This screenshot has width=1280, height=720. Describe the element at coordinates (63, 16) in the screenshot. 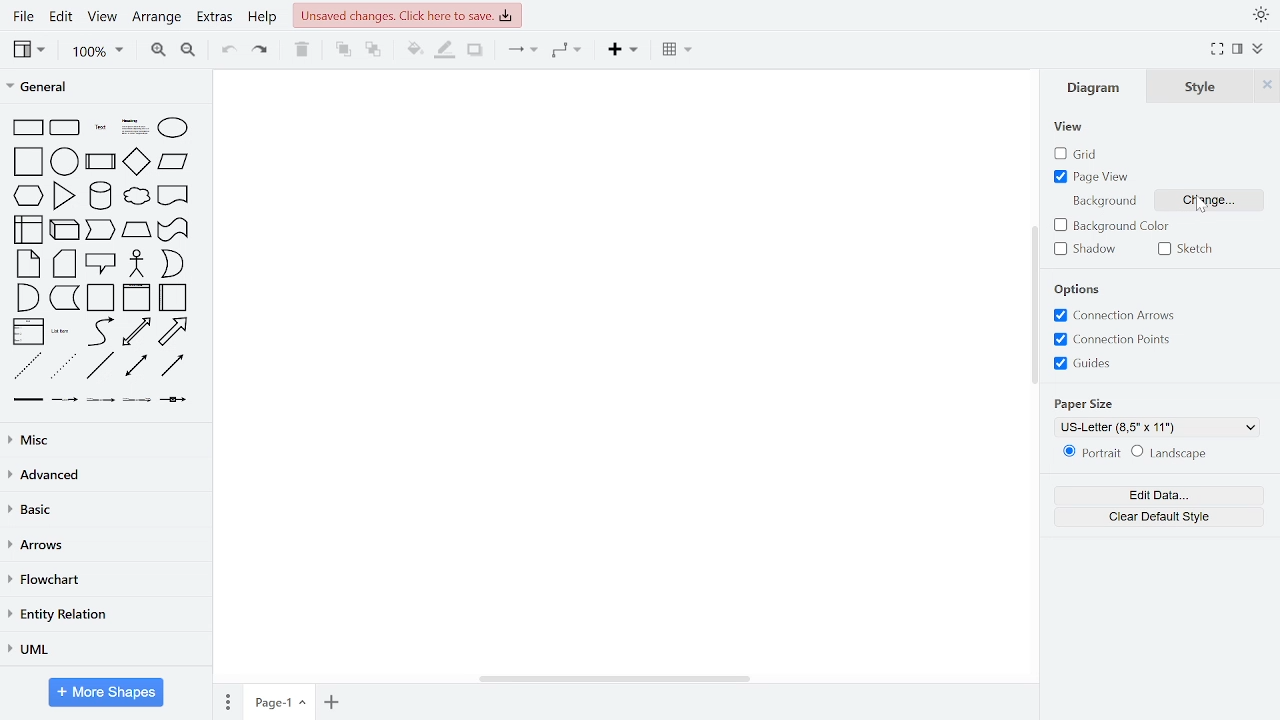

I see `edit` at that location.